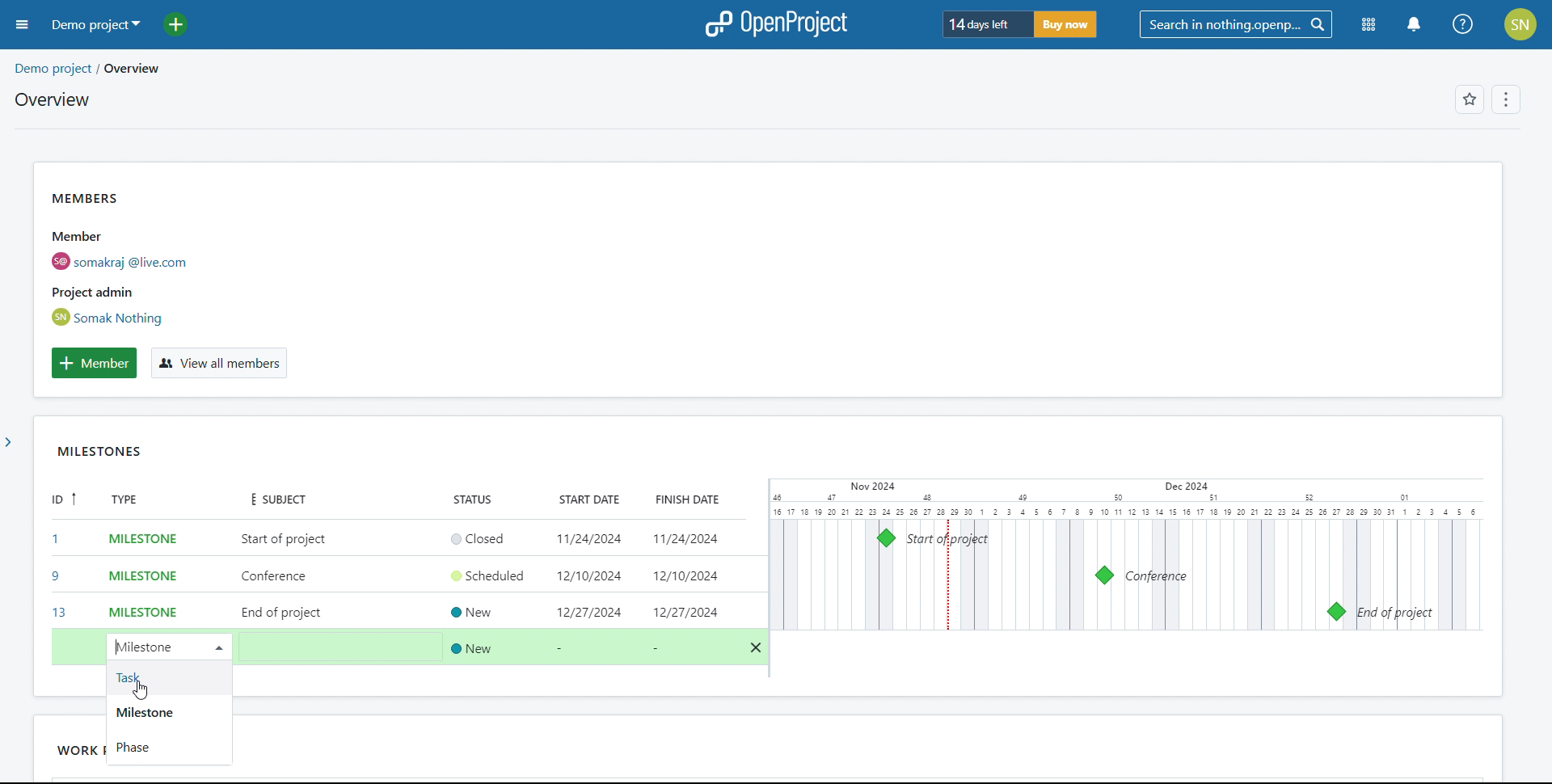  What do you see at coordinates (776, 24) in the screenshot?
I see `logo` at bounding box center [776, 24].